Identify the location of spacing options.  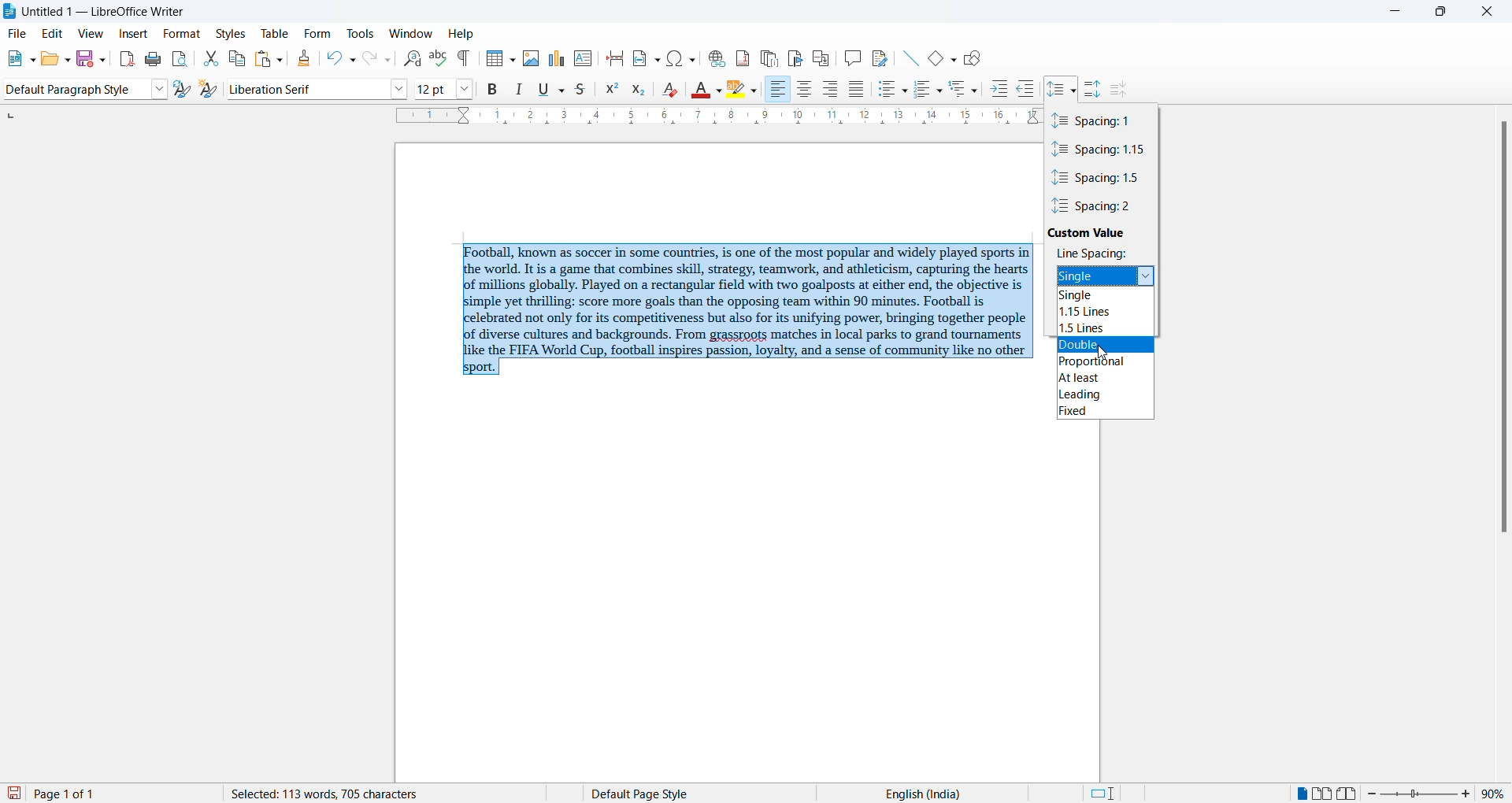
(1145, 276).